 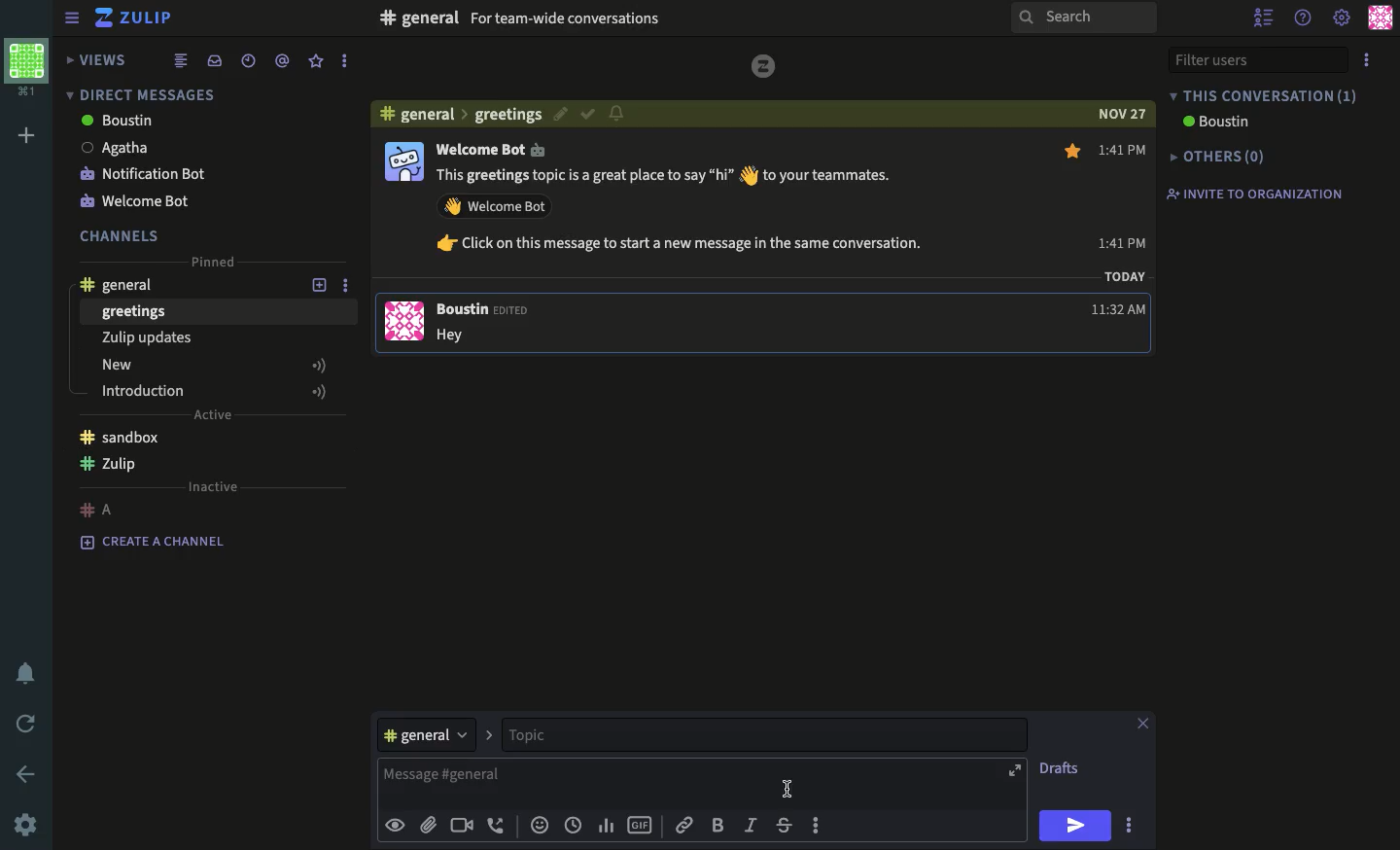 I want to click on chart, so click(x=609, y=826).